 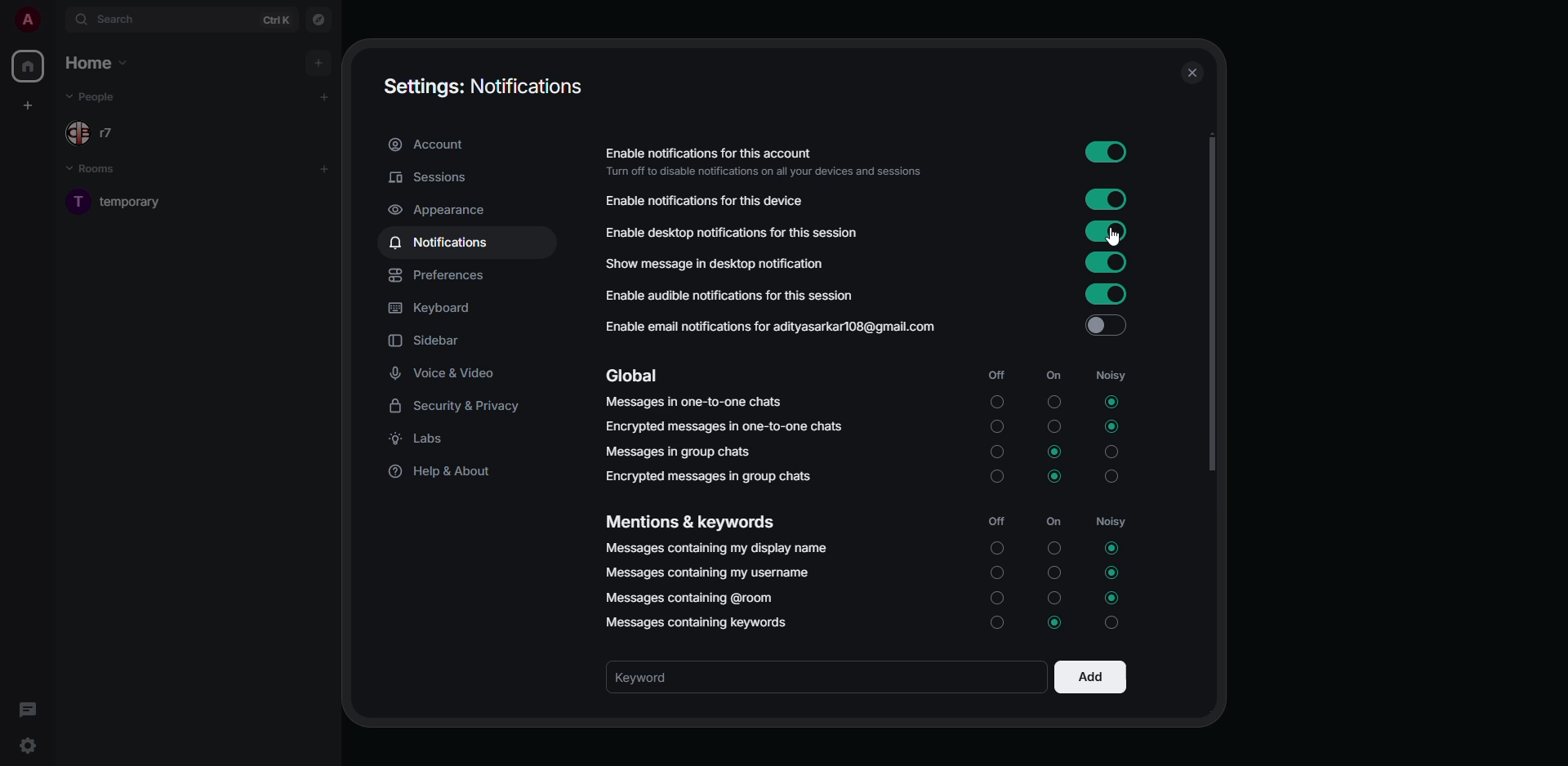 What do you see at coordinates (1090, 676) in the screenshot?
I see `add` at bounding box center [1090, 676].